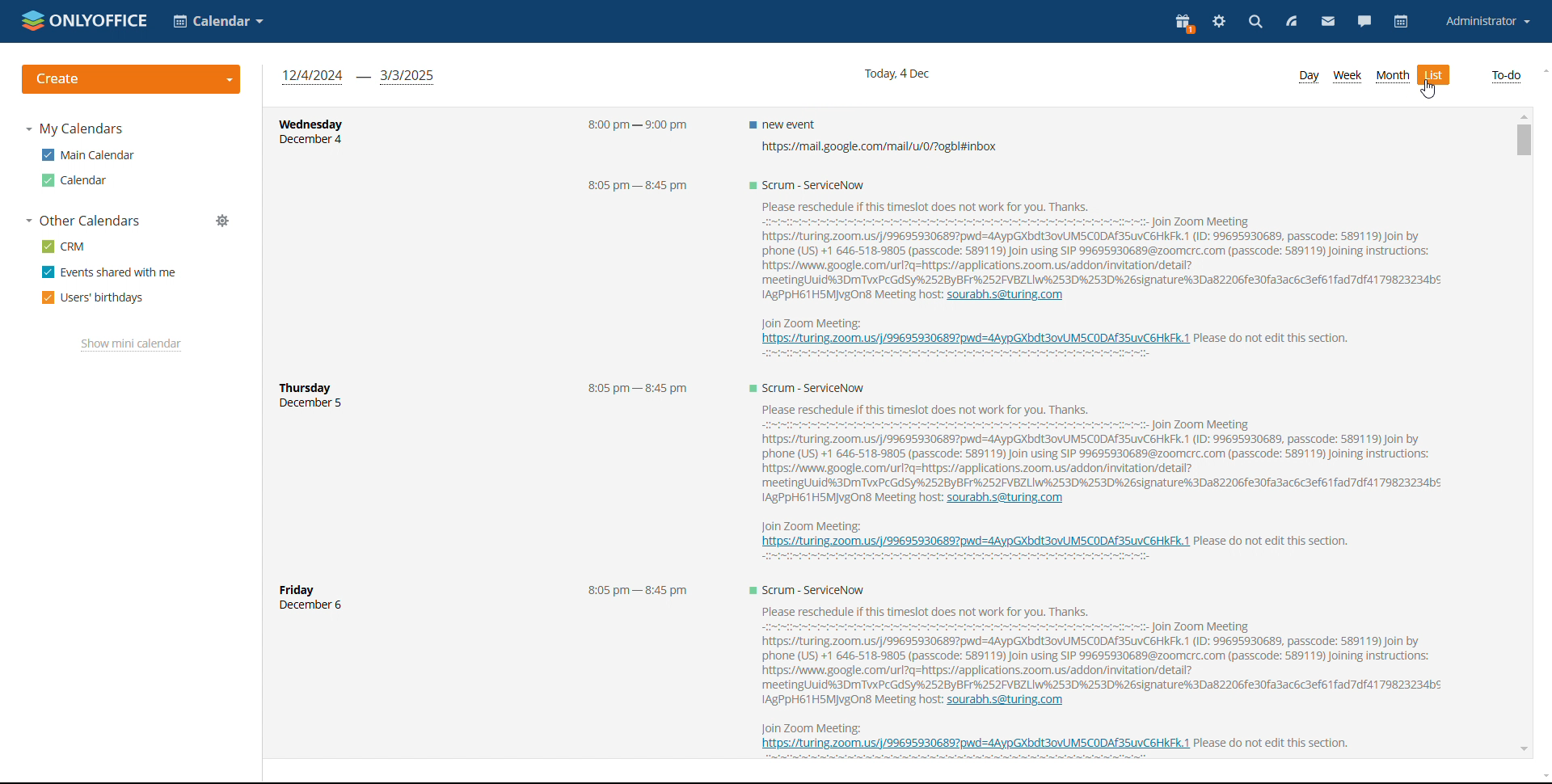 This screenshot has height=784, width=1552. Describe the element at coordinates (631, 390) in the screenshot. I see `8:05 pm —8:45 pm` at that location.